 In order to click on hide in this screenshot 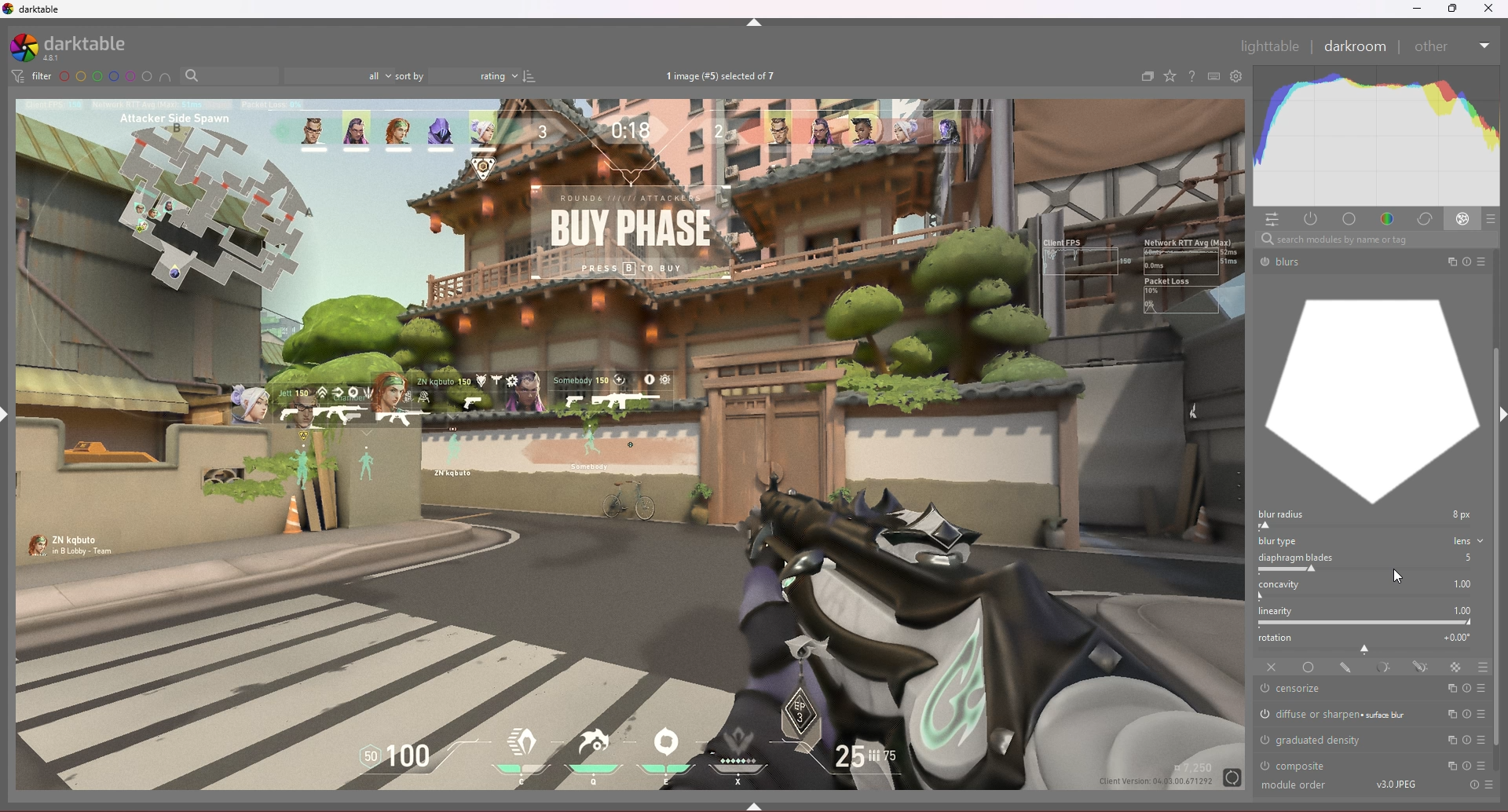, I will do `click(755, 23)`.